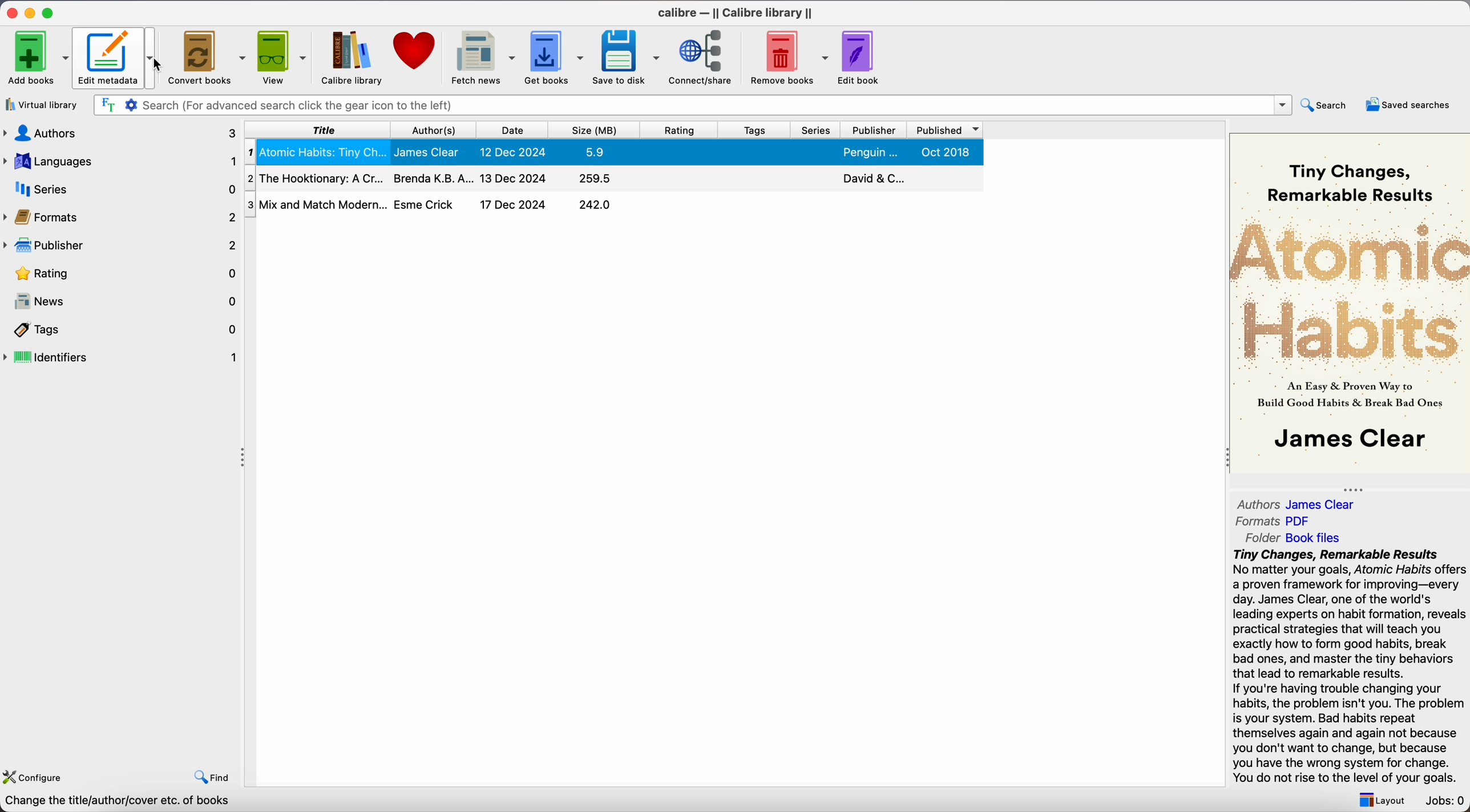 The height and width of the screenshot is (812, 1470). What do you see at coordinates (118, 58) in the screenshot?
I see `edit metadata` at bounding box center [118, 58].